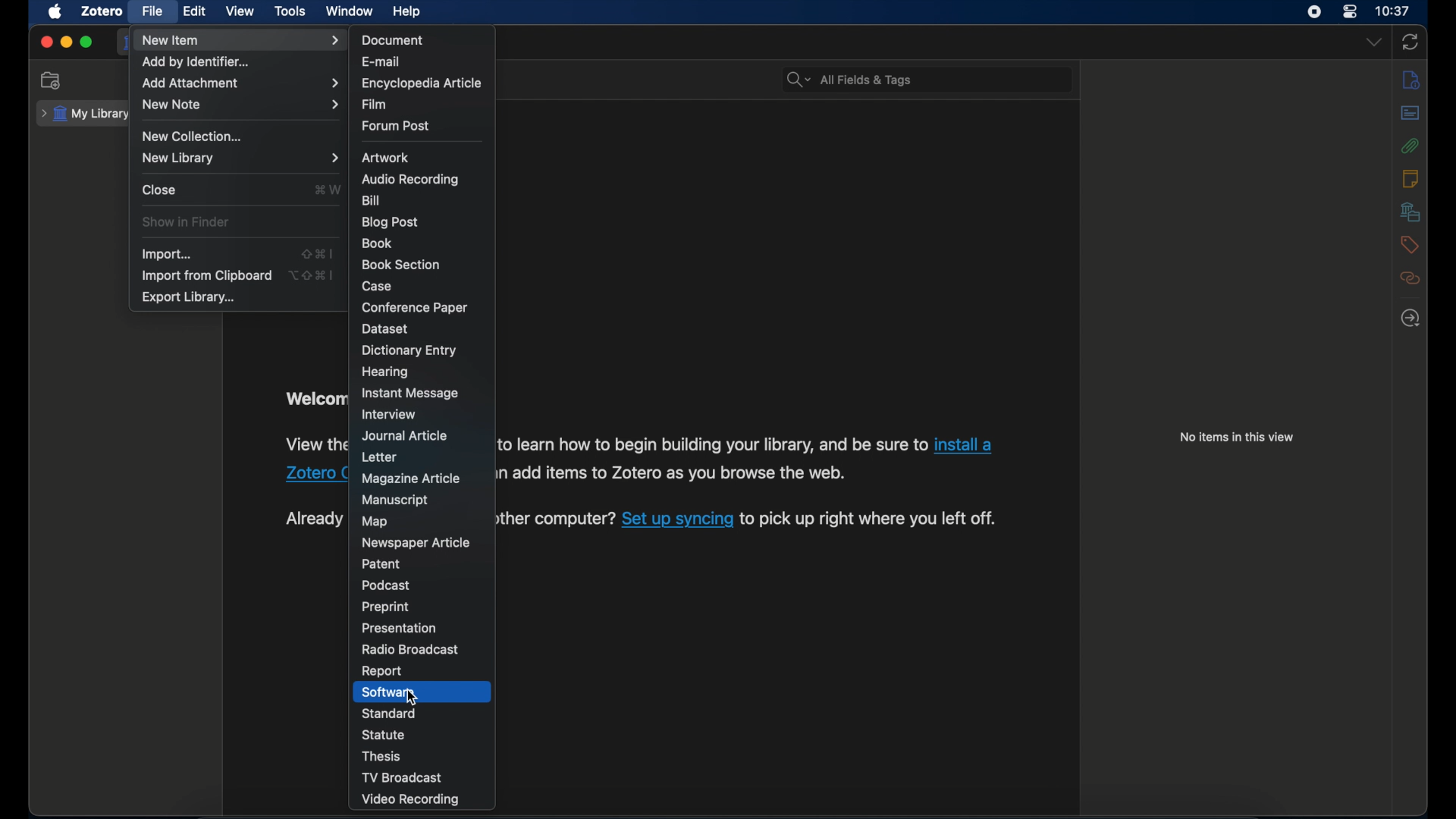  What do you see at coordinates (390, 692) in the screenshot?
I see `software` at bounding box center [390, 692].